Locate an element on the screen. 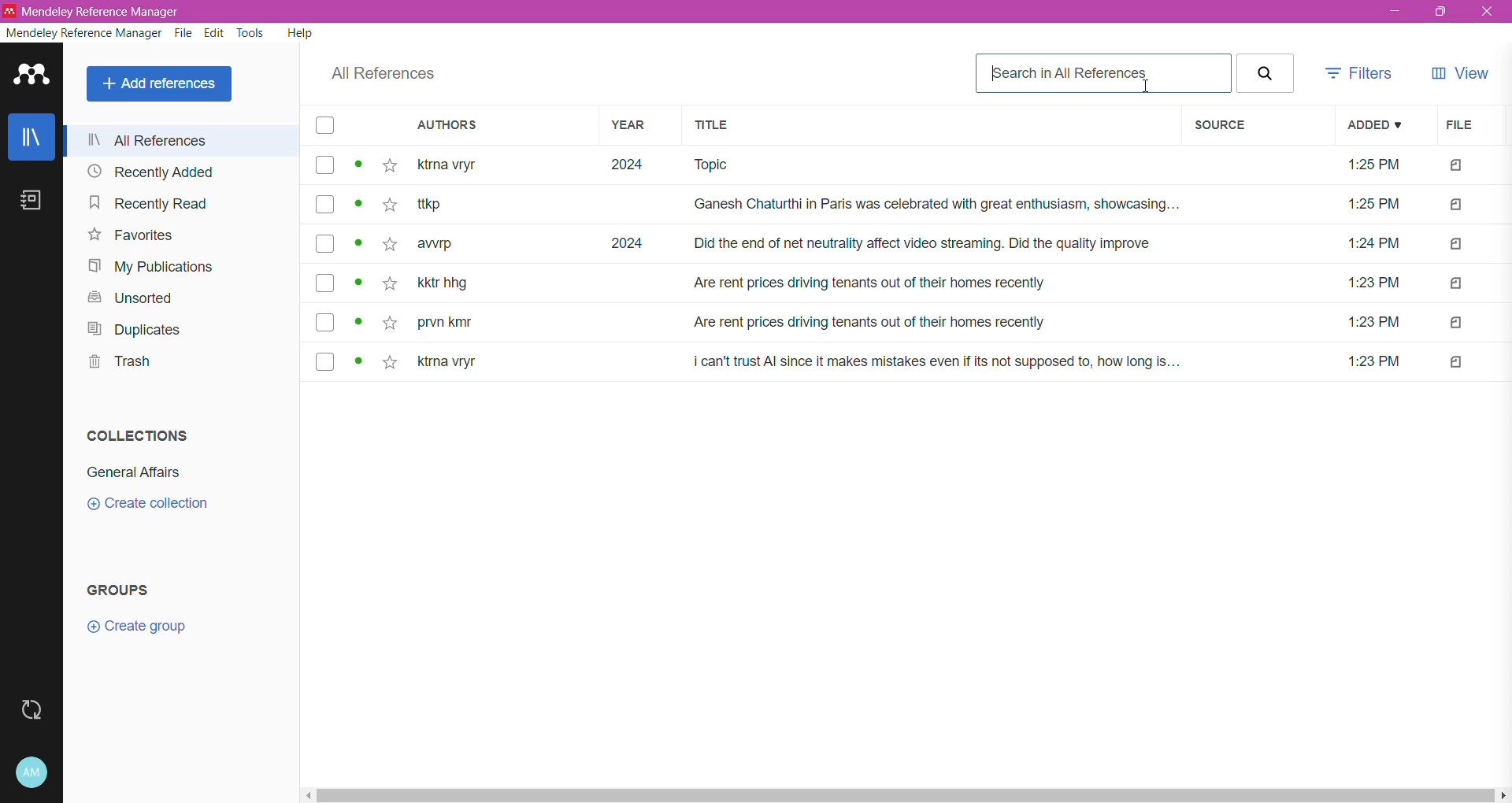 Image resolution: width=1512 pixels, height=803 pixels. Source is located at coordinates (1254, 126).